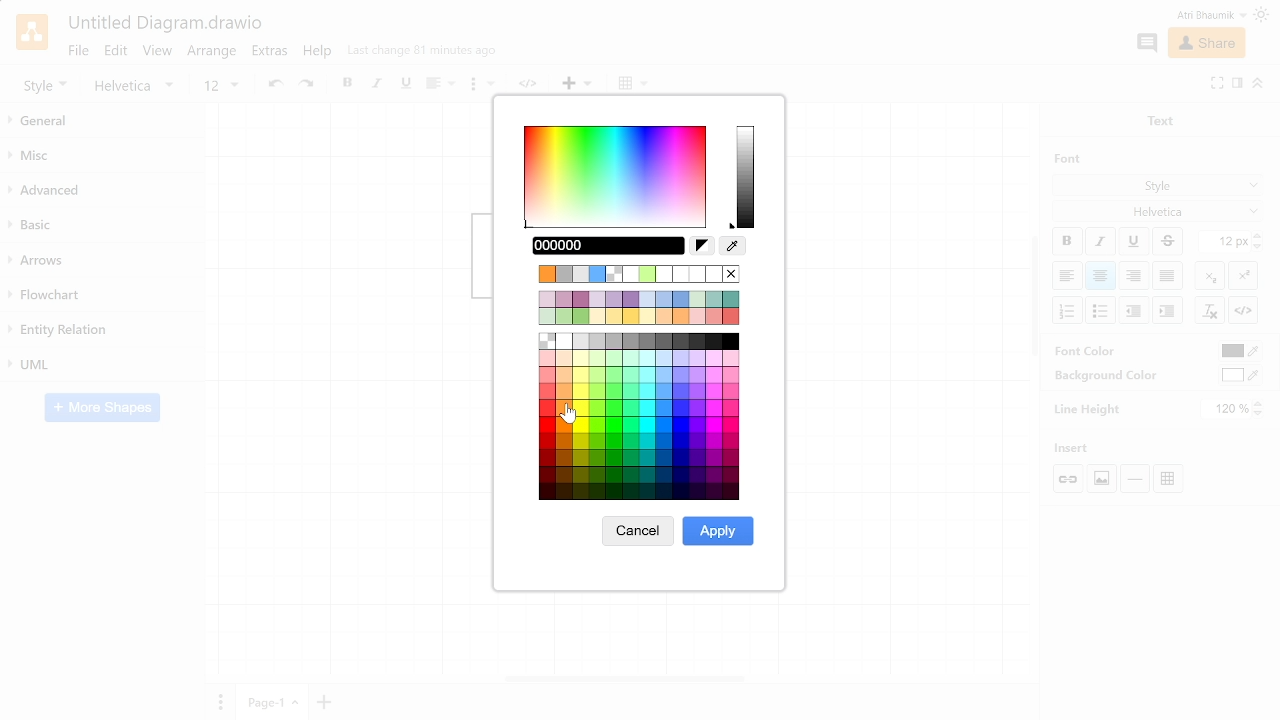 This screenshot has height=720, width=1280. Describe the element at coordinates (272, 53) in the screenshot. I see `Extras` at that location.